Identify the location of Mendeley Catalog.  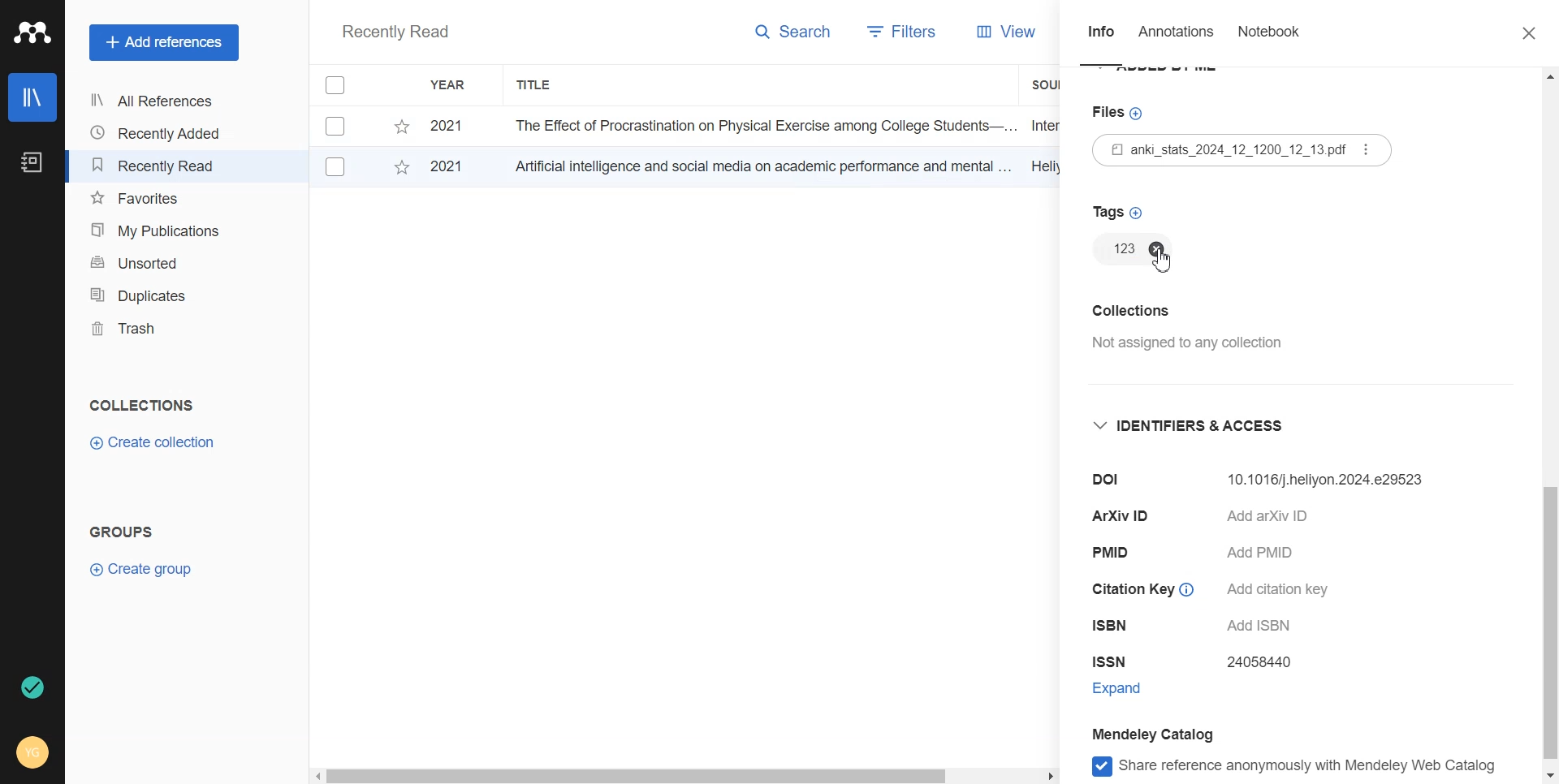
(1172, 733).